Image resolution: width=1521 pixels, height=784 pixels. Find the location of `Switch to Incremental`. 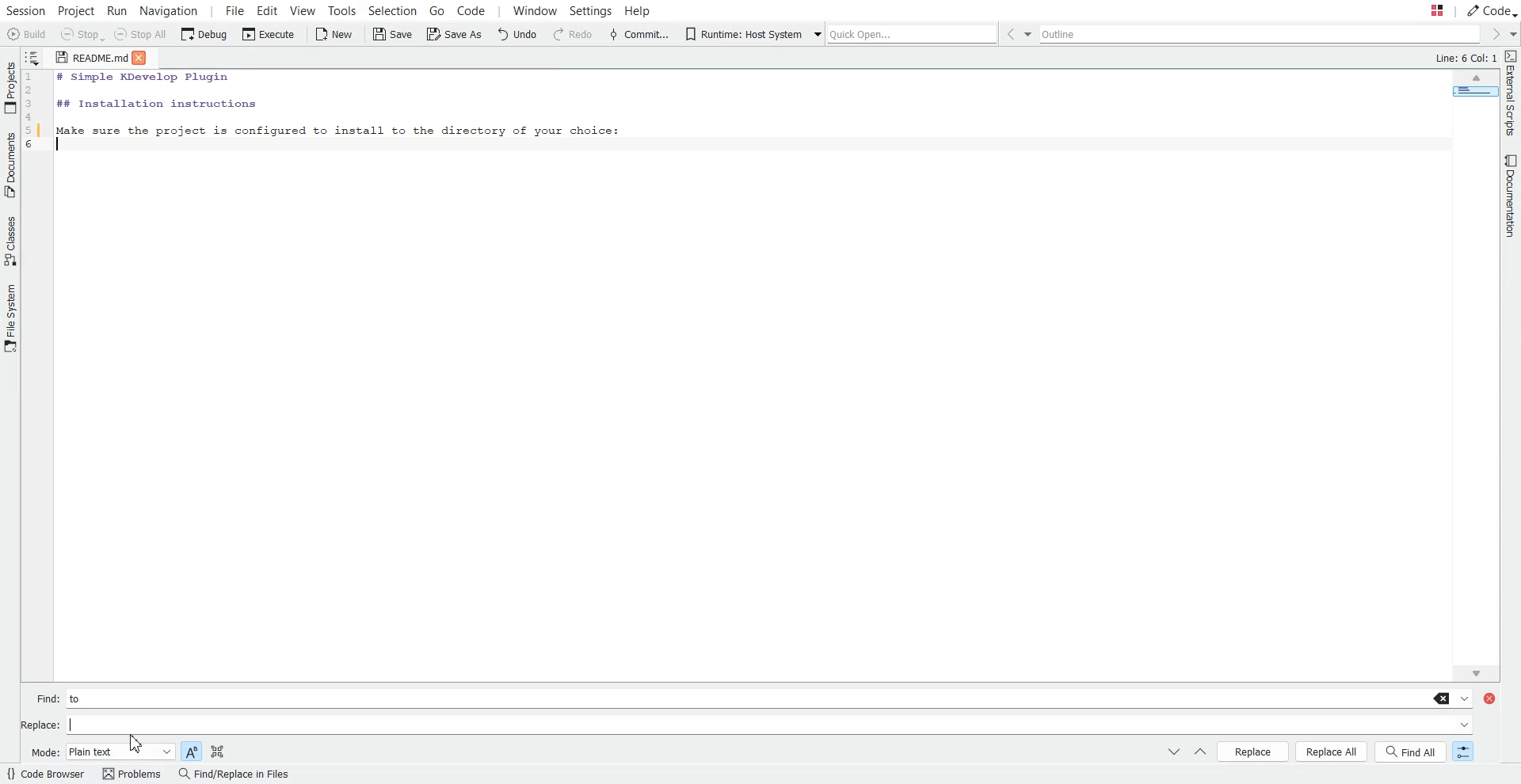

Switch to Incremental is located at coordinates (1460, 752).